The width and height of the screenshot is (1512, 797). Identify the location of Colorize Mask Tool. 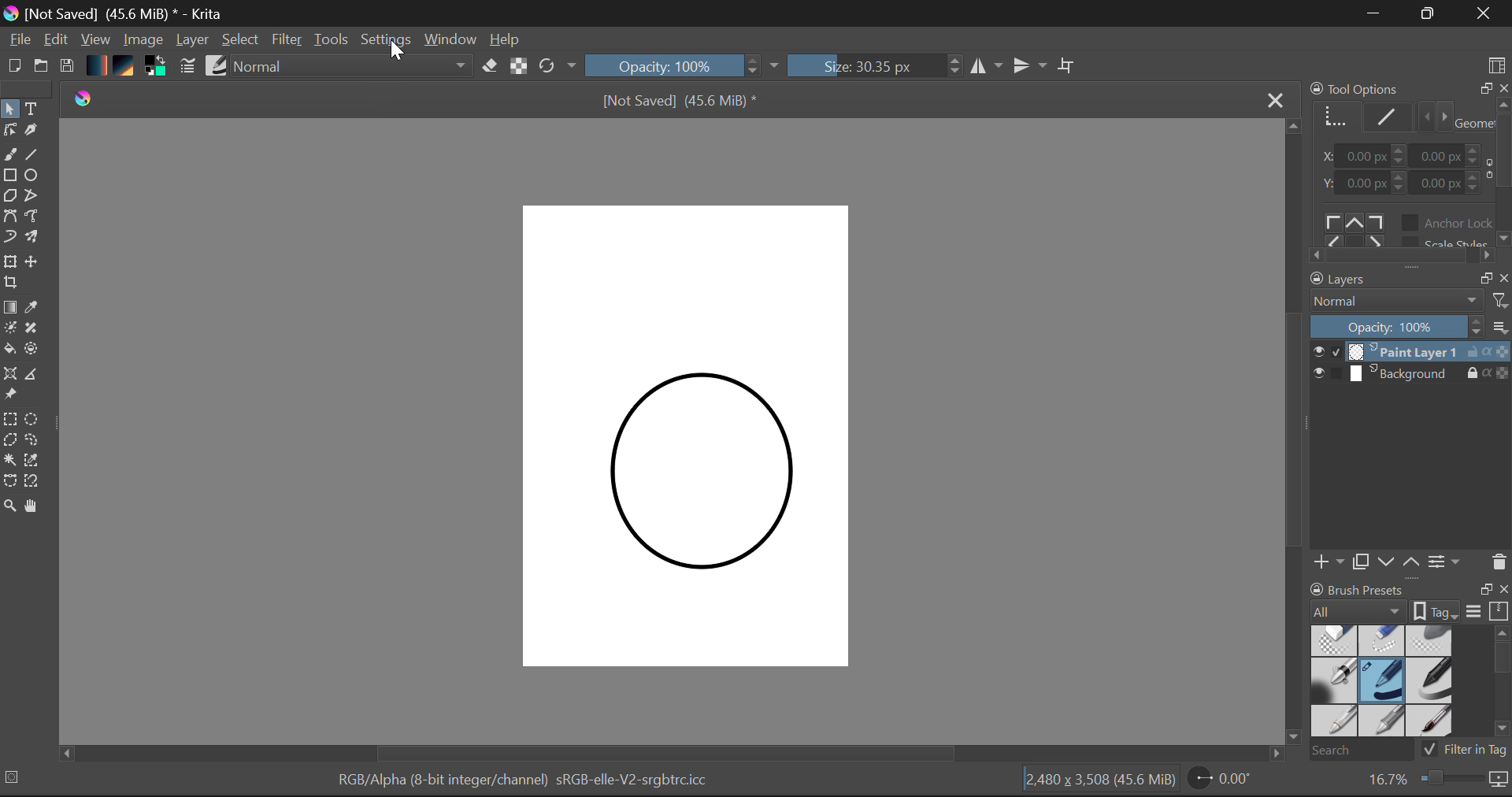
(10, 328).